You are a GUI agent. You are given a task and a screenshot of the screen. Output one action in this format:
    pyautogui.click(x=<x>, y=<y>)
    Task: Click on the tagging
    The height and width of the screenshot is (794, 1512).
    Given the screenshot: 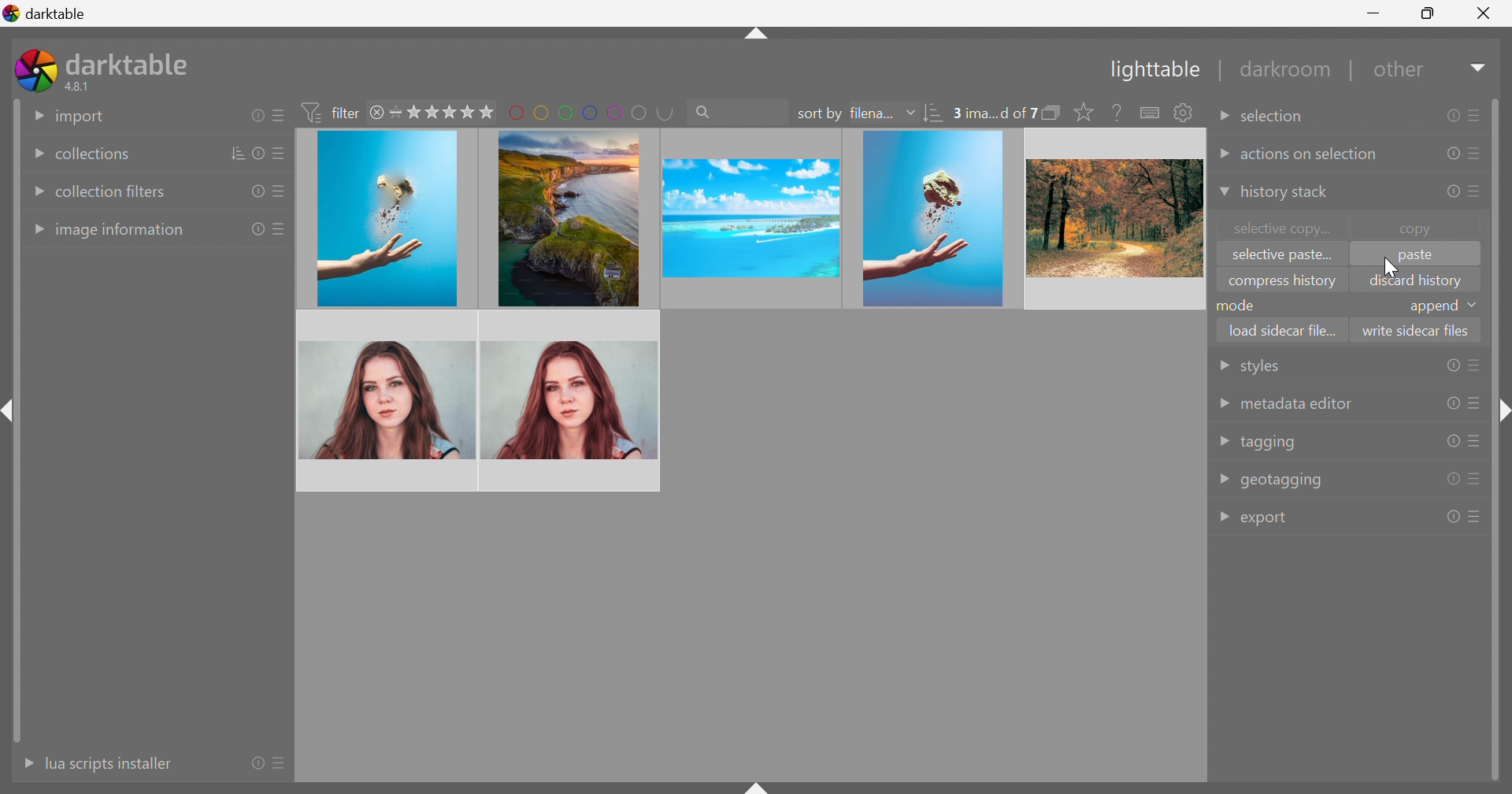 What is the action you would take?
    pyautogui.click(x=1269, y=443)
    